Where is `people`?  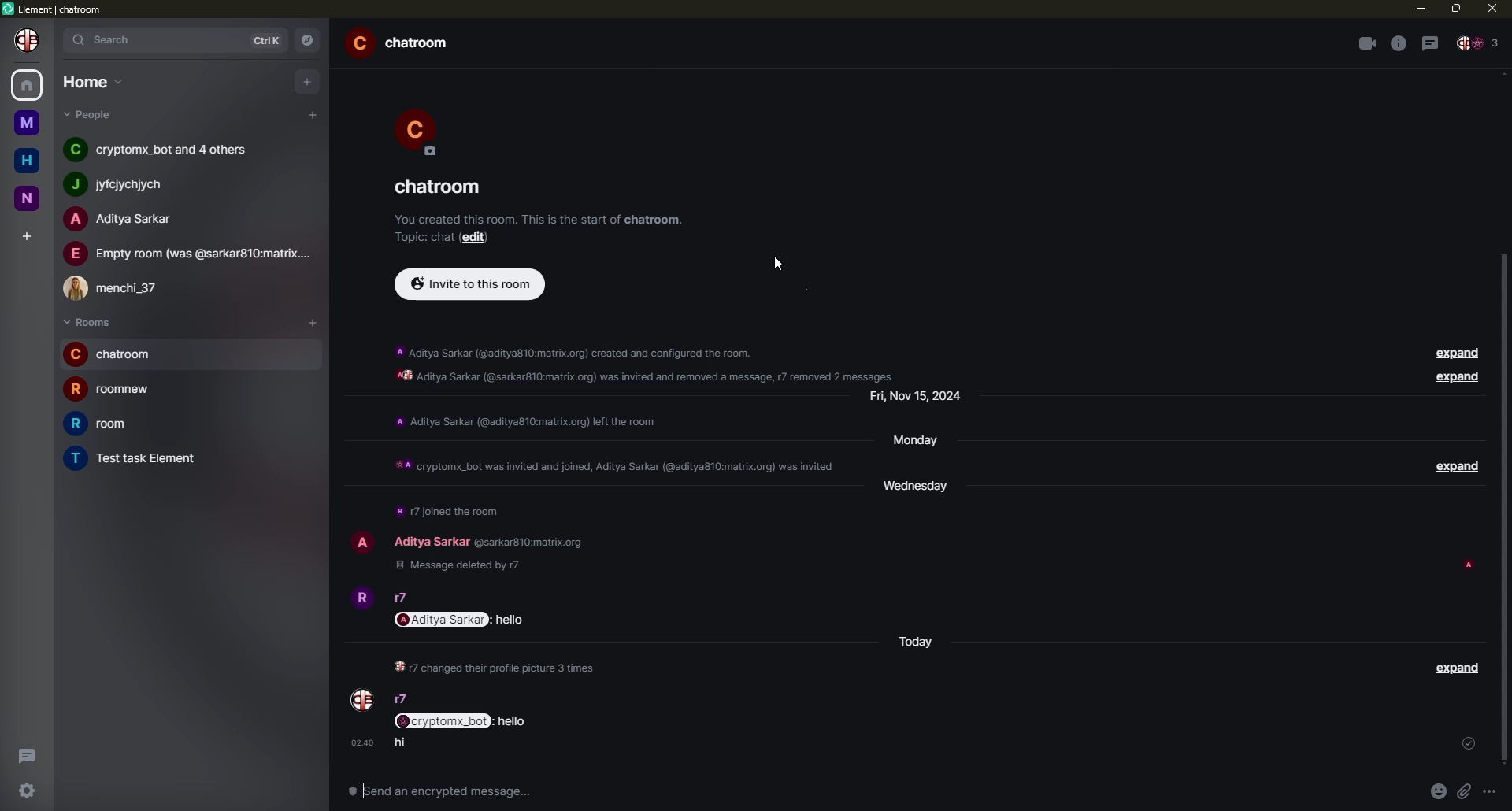 people is located at coordinates (431, 542).